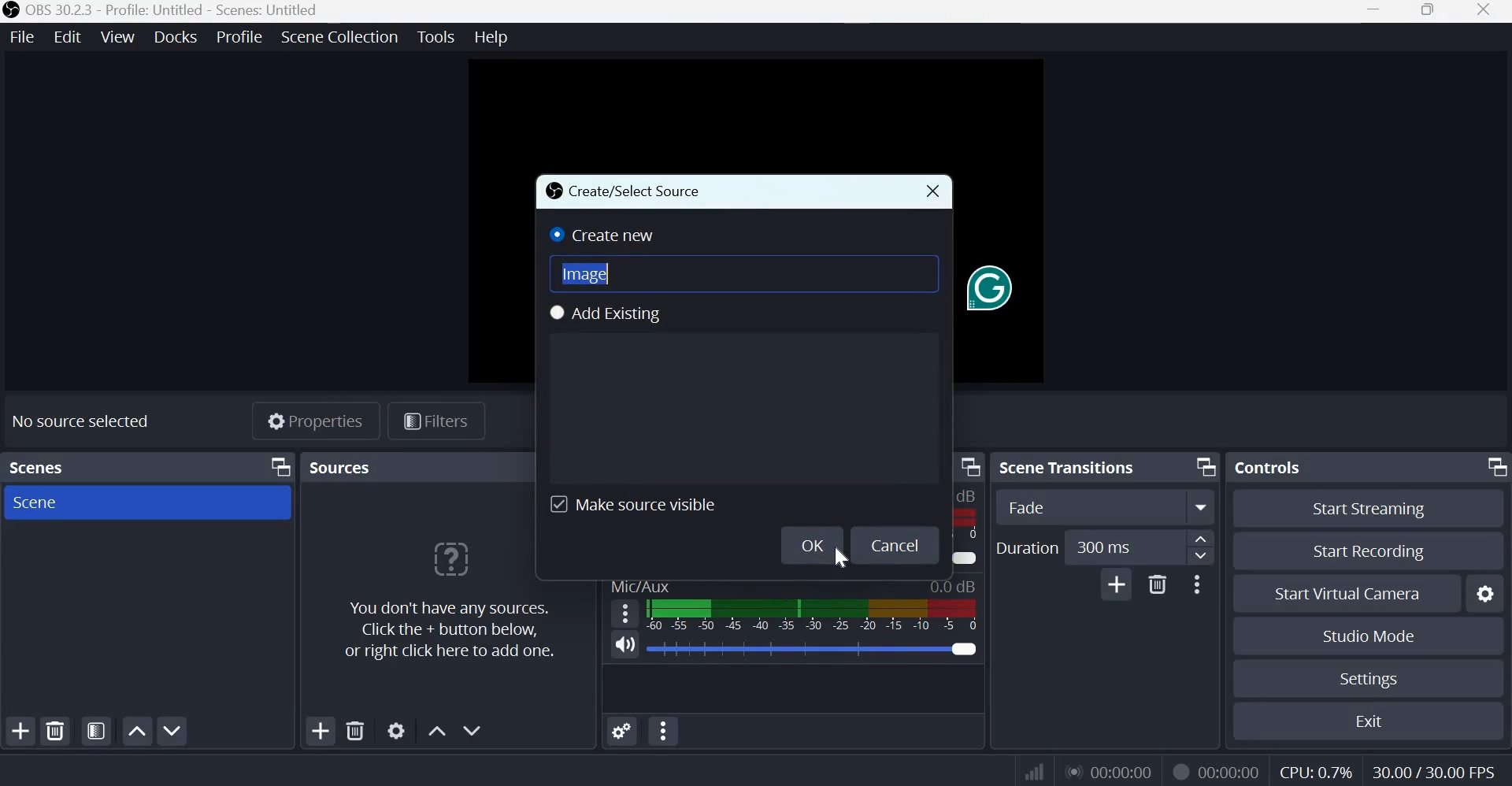 The height and width of the screenshot is (786, 1512). I want to click on Minimize, so click(1376, 11).